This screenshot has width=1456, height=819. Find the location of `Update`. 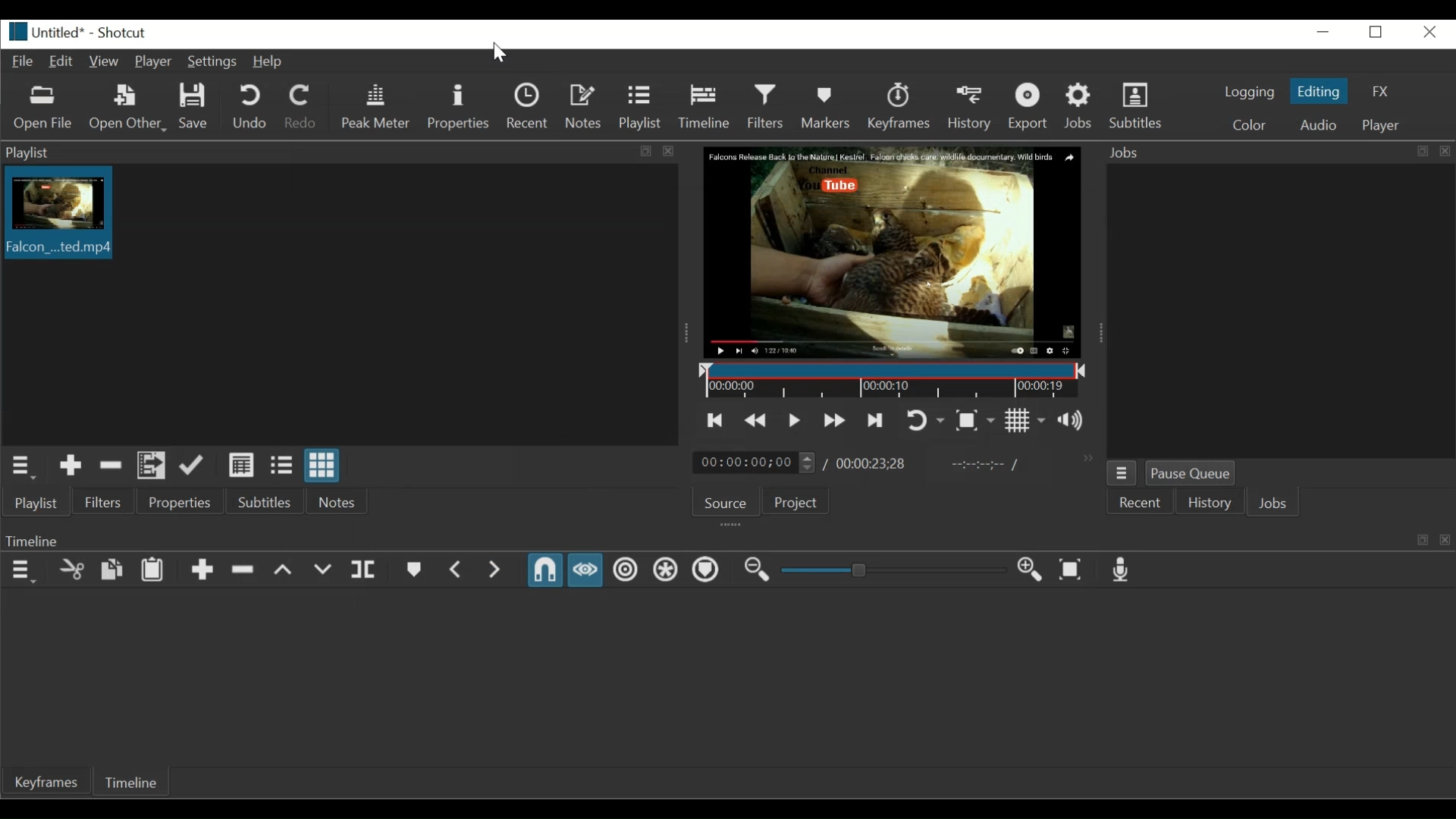

Update is located at coordinates (193, 466).